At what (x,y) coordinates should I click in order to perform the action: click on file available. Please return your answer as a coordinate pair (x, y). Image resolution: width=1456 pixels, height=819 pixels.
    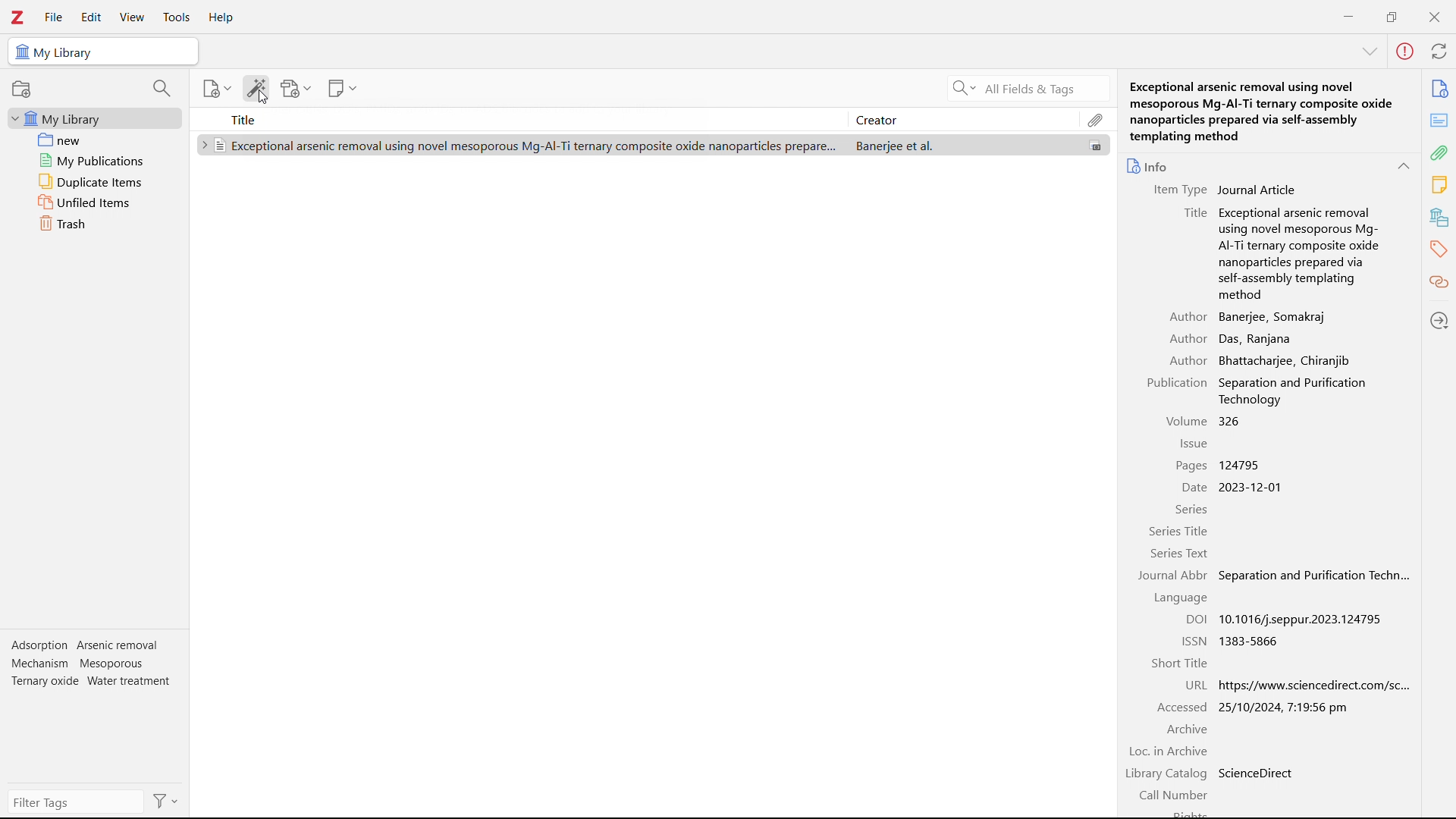
    Looking at the image, I should click on (1095, 146).